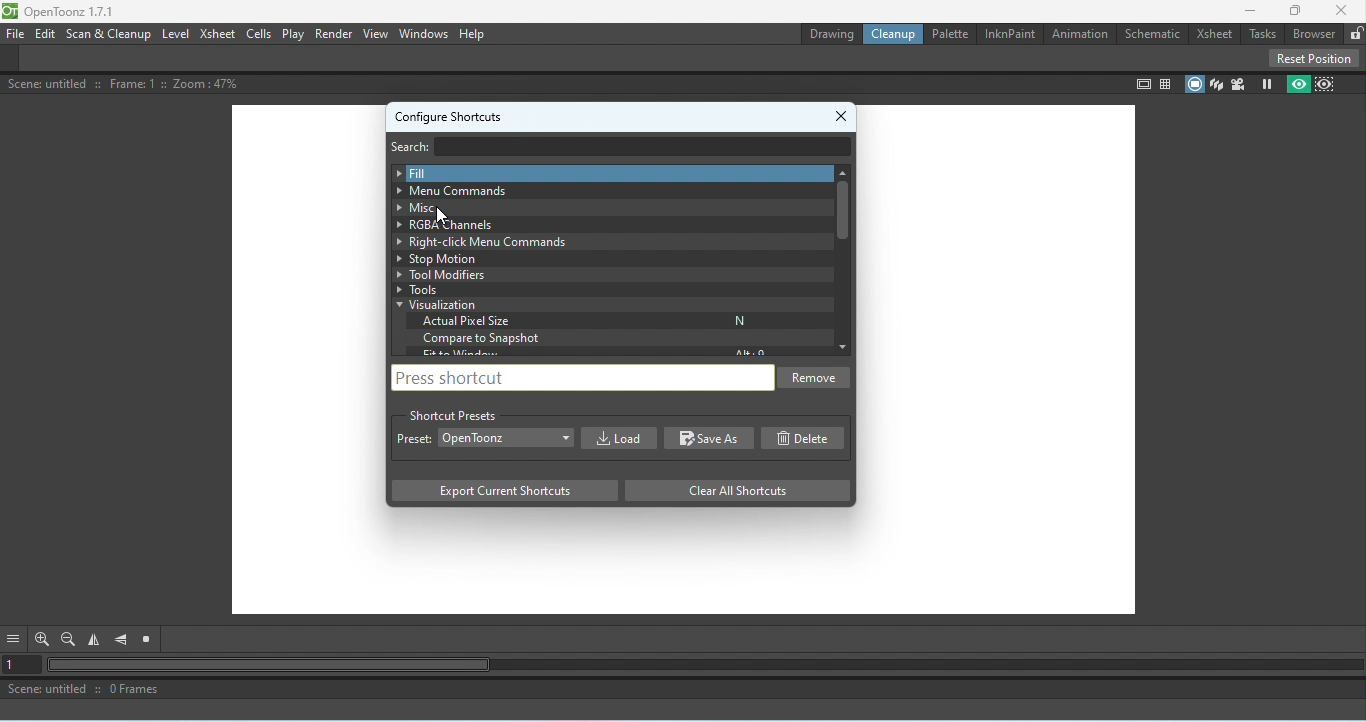  I want to click on Play, so click(294, 34).